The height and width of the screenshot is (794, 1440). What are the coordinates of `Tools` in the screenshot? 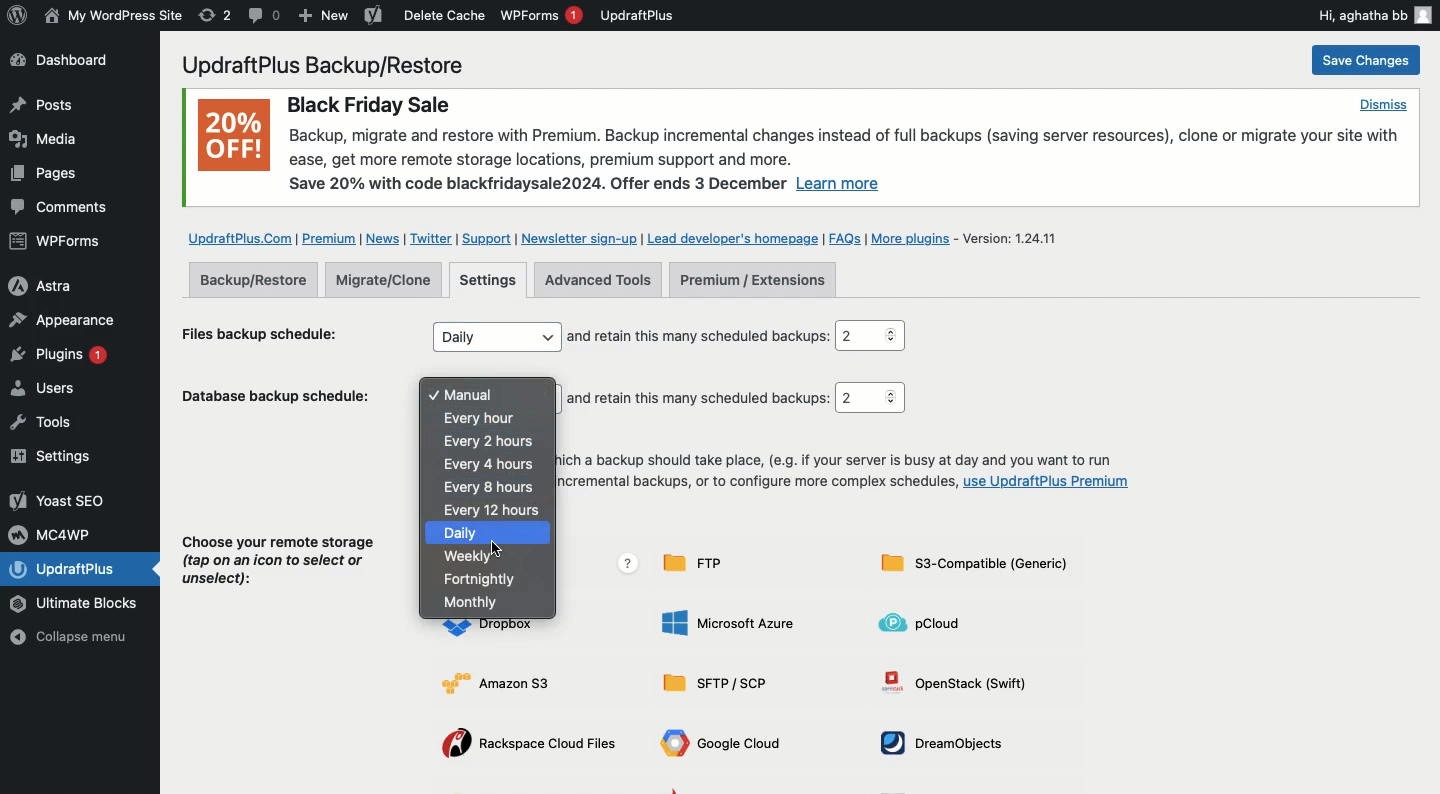 It's located at (54, 422).